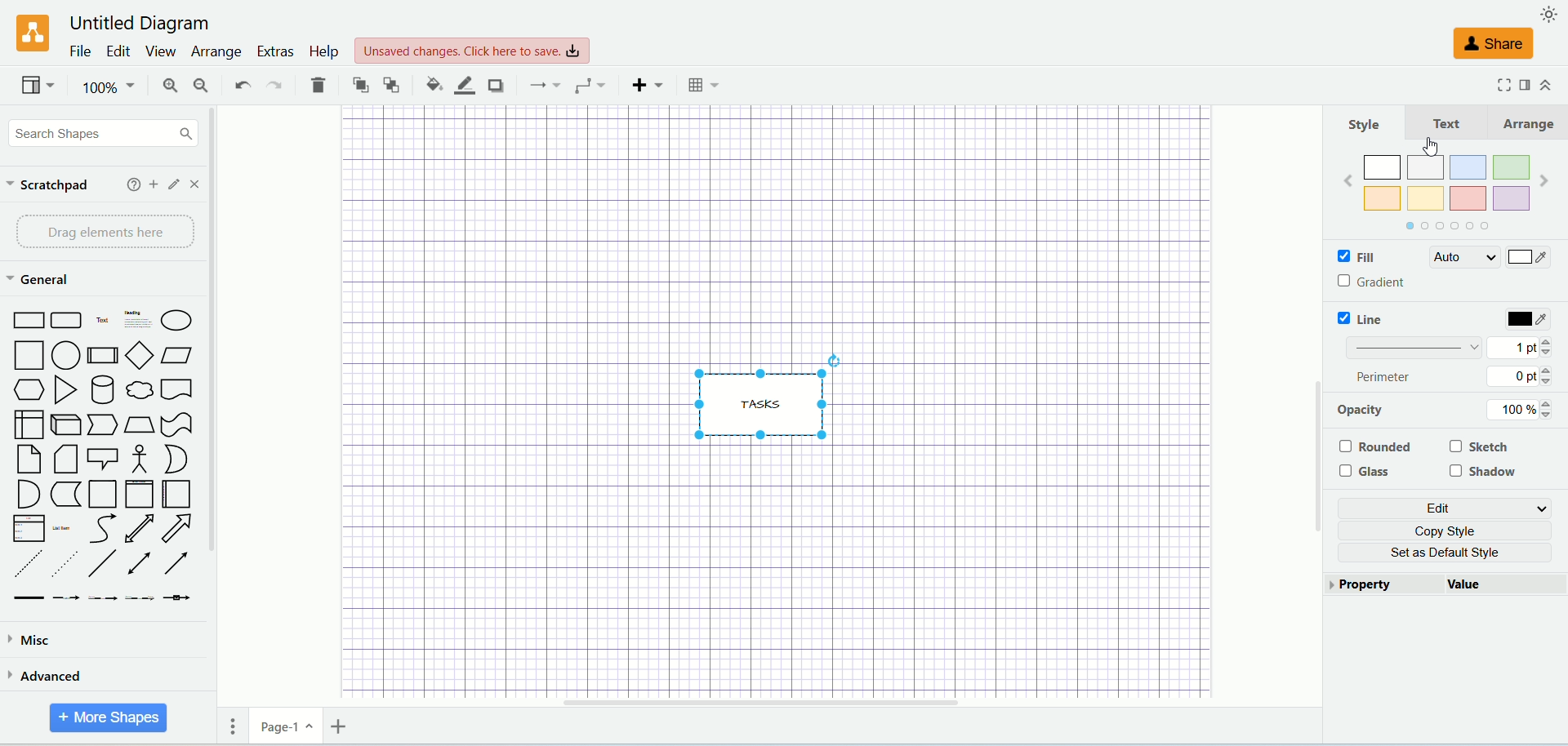  I want to click on auto, so click(1463, 257).